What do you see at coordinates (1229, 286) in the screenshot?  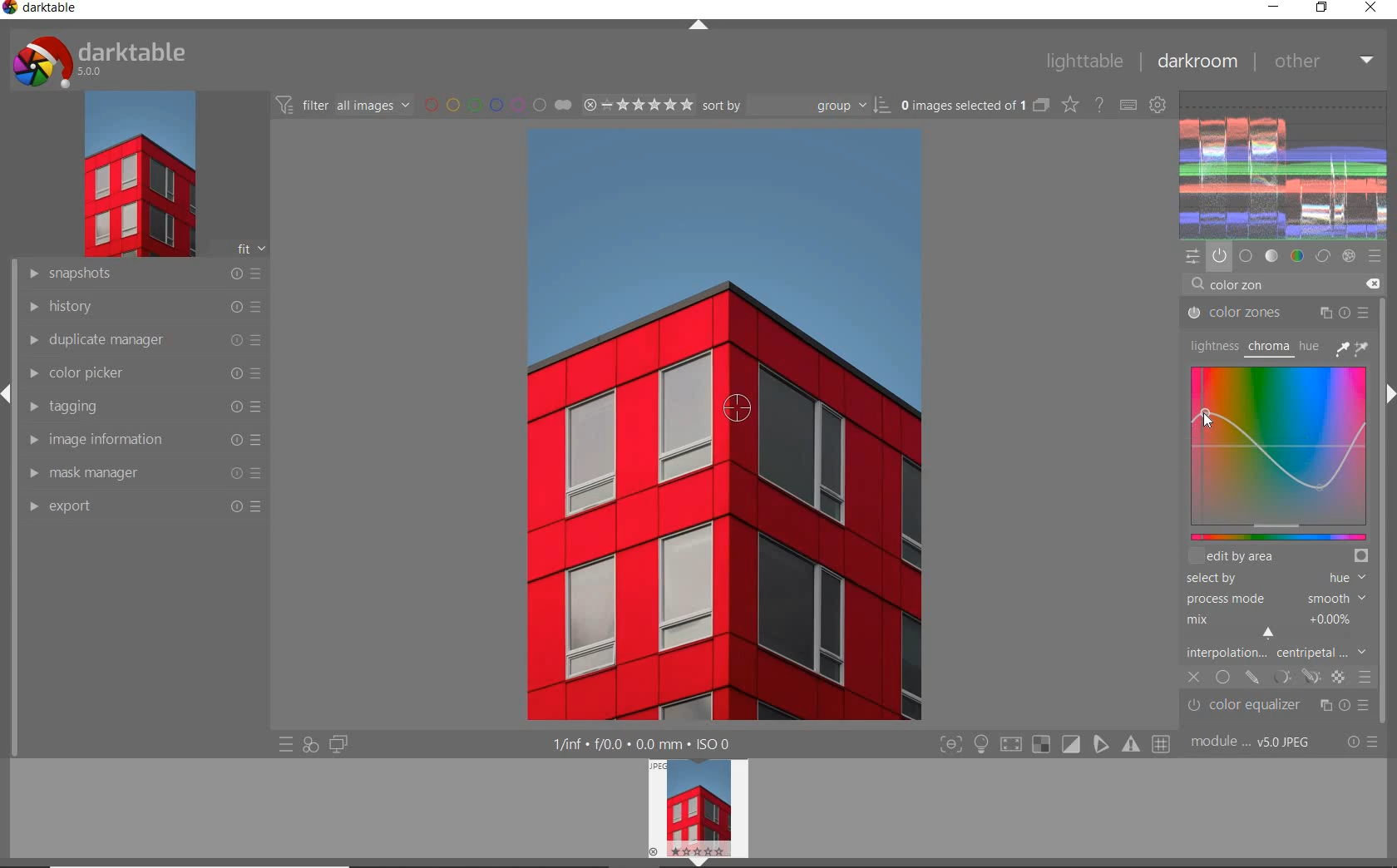 I see `INPUT VALUE` at bounding box center [1229, 286].